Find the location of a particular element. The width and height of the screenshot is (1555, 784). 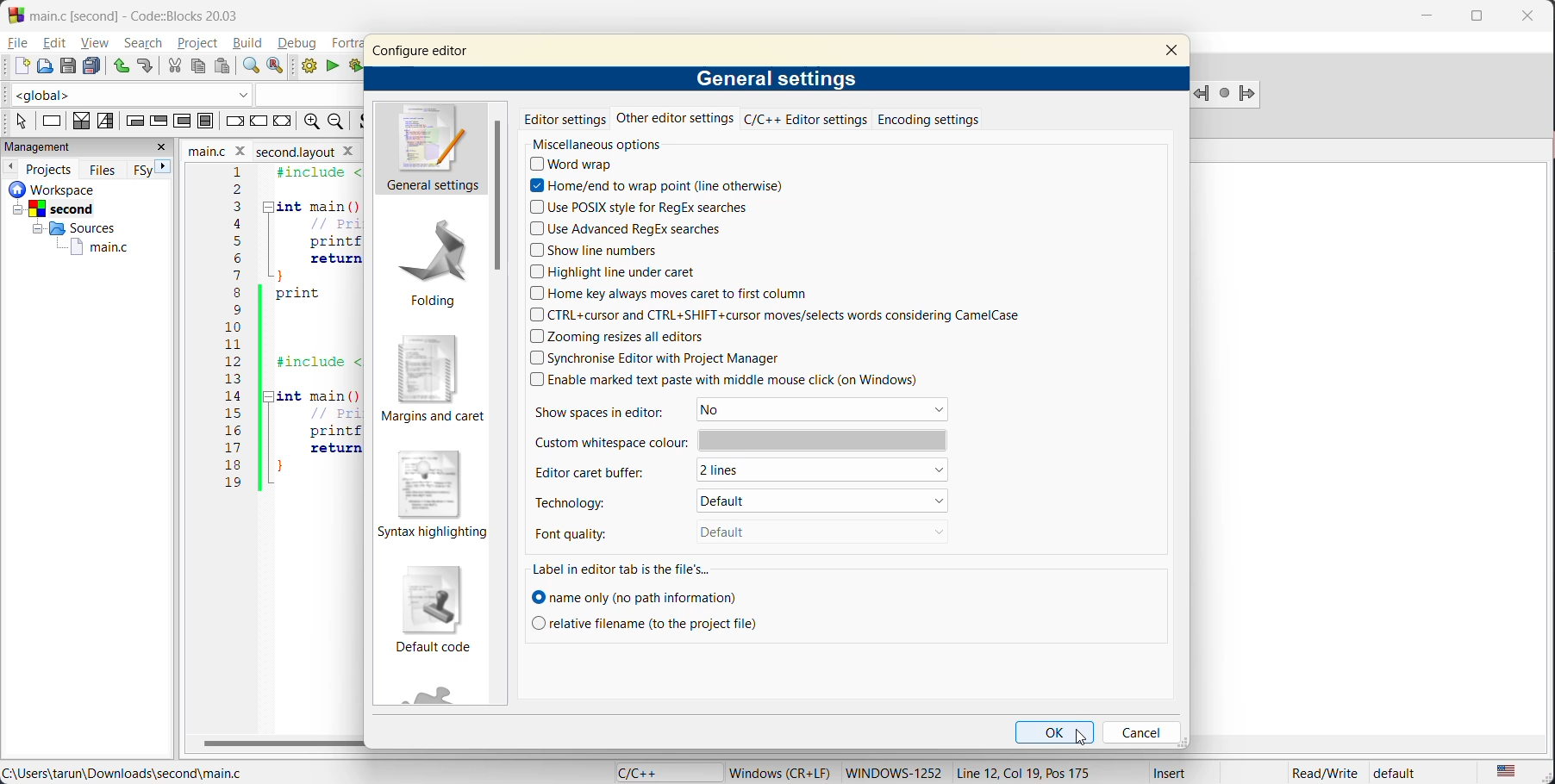

continue instruction is located at coordinates (259, 121).